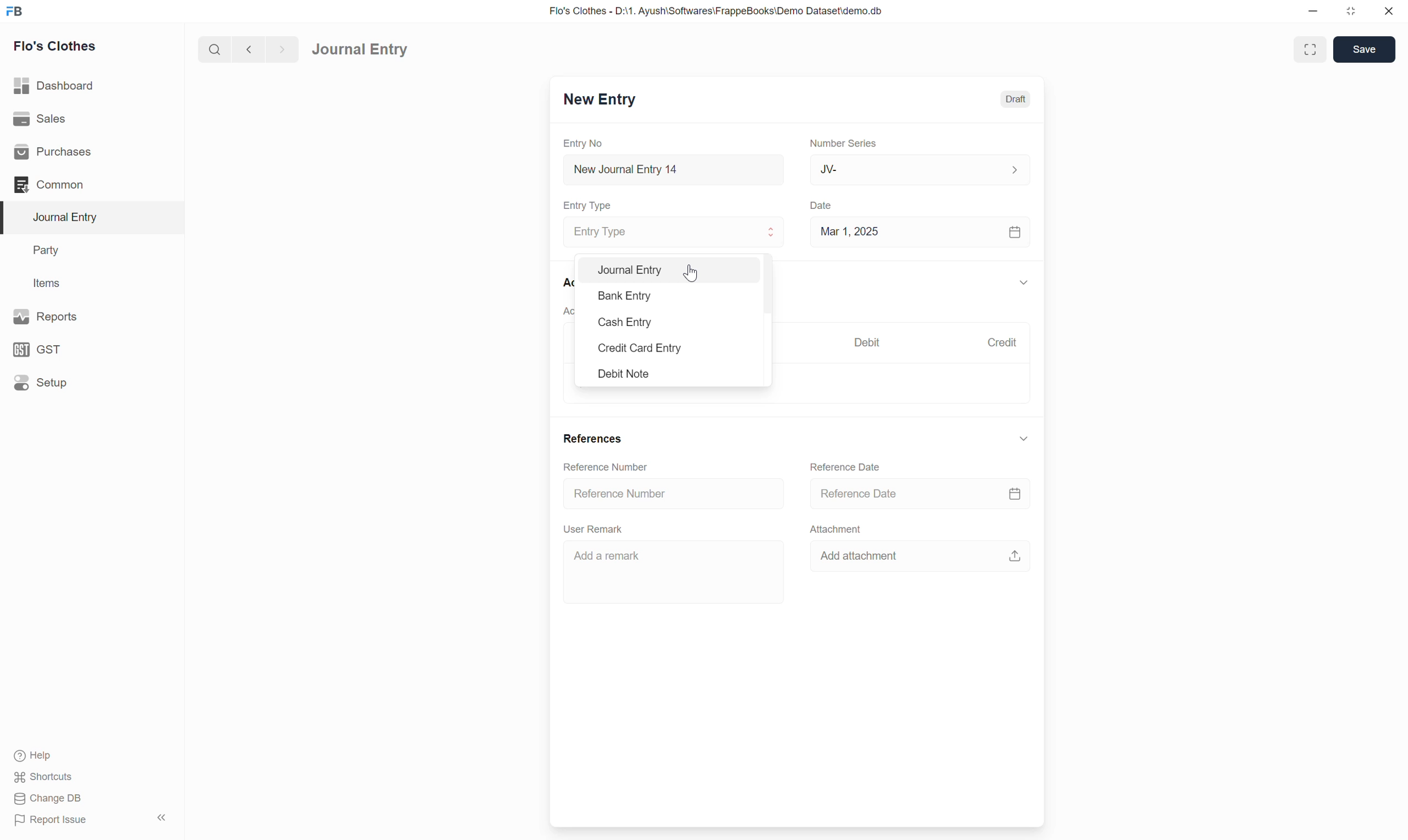  Describe the element at coordinates (1022, 284) in the screenshot. I see `down` at that location.